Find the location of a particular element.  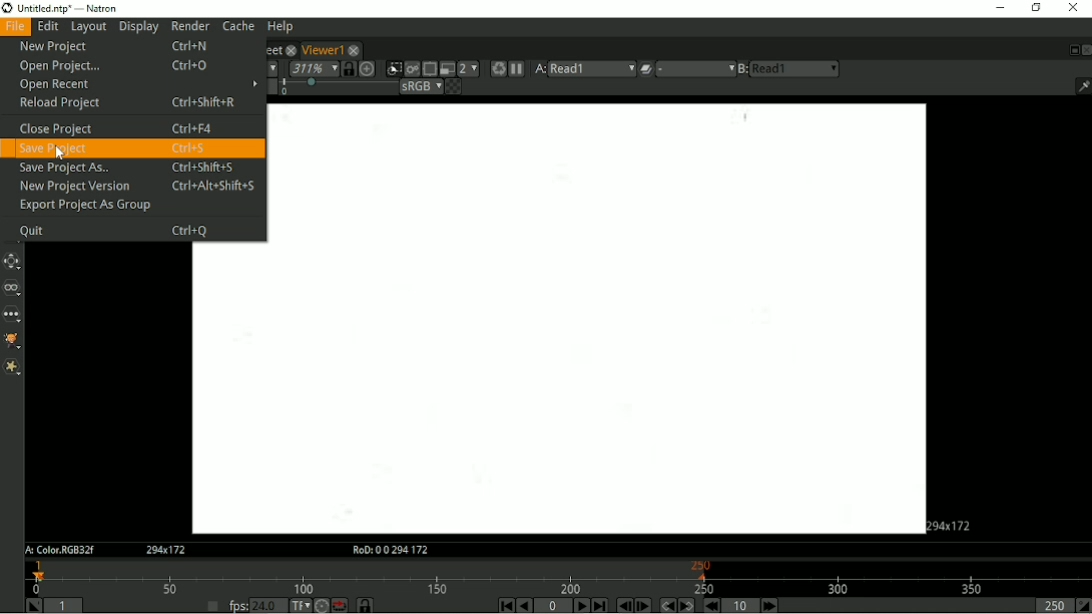

Turbo mode is located at coordinates (322, 605).